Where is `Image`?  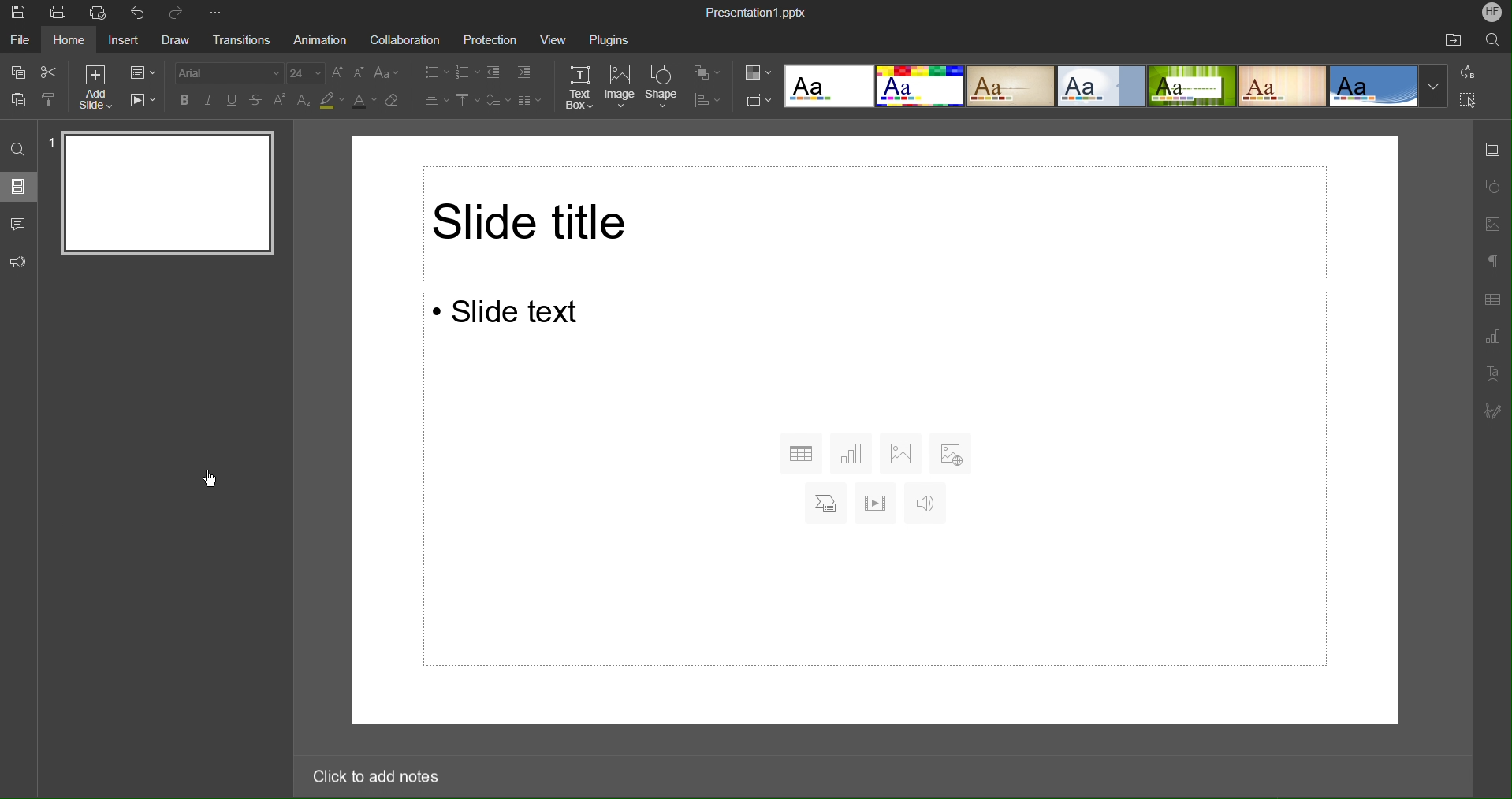 Image is located at coordinates (620, 88).